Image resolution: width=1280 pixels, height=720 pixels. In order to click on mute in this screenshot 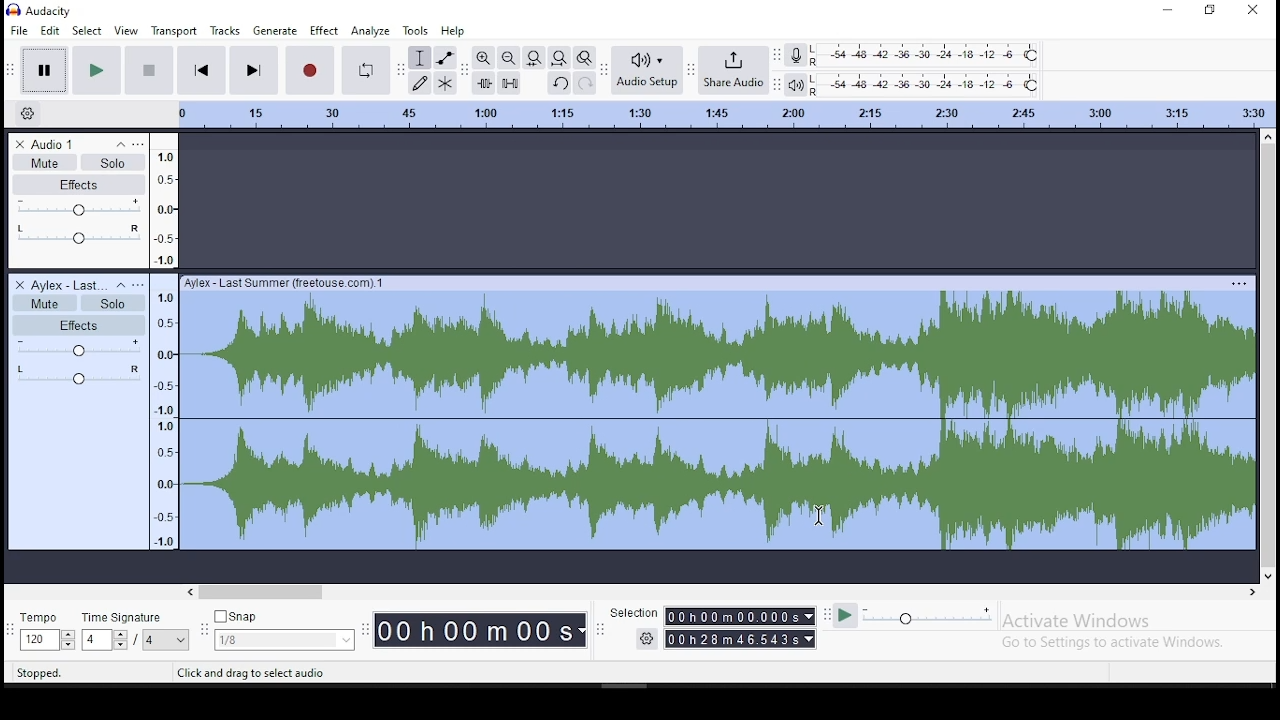, I will do `click(46, 303)`.